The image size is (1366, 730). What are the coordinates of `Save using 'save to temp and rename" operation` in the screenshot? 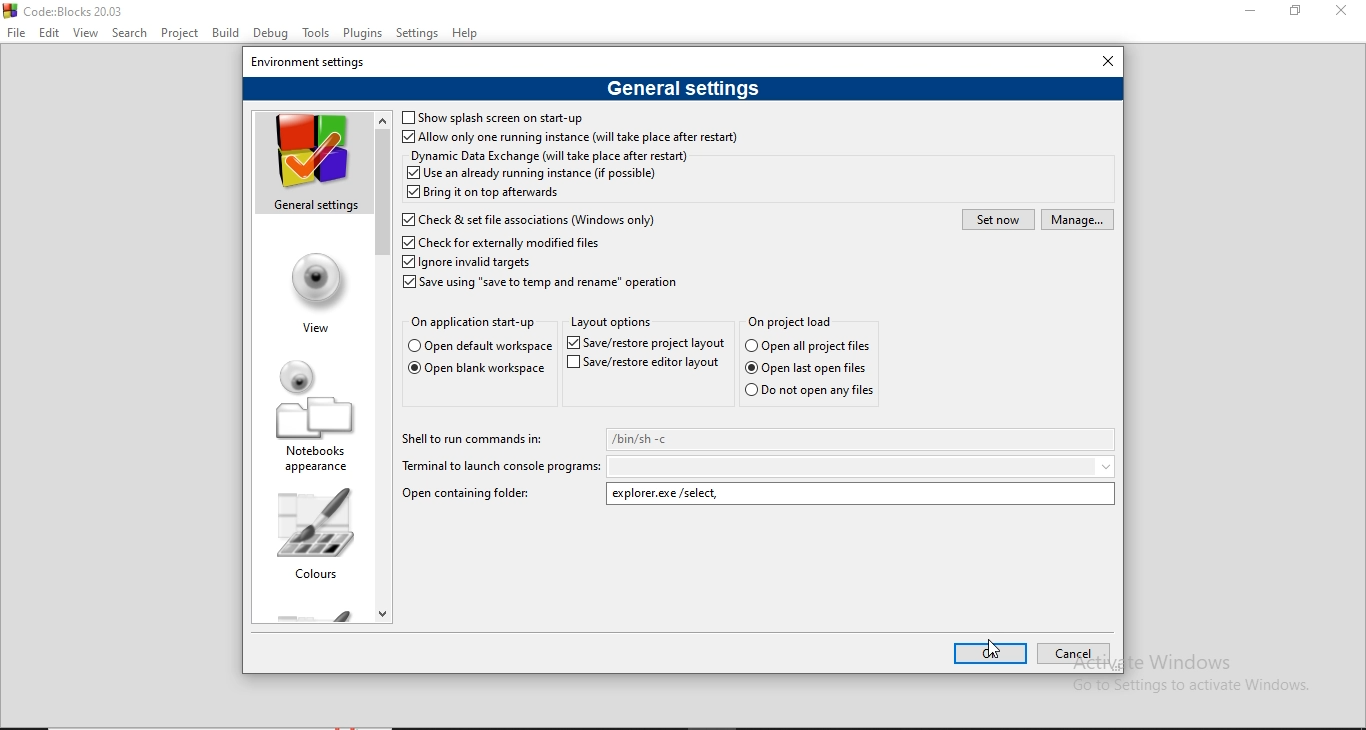 It's located at (544, 285).